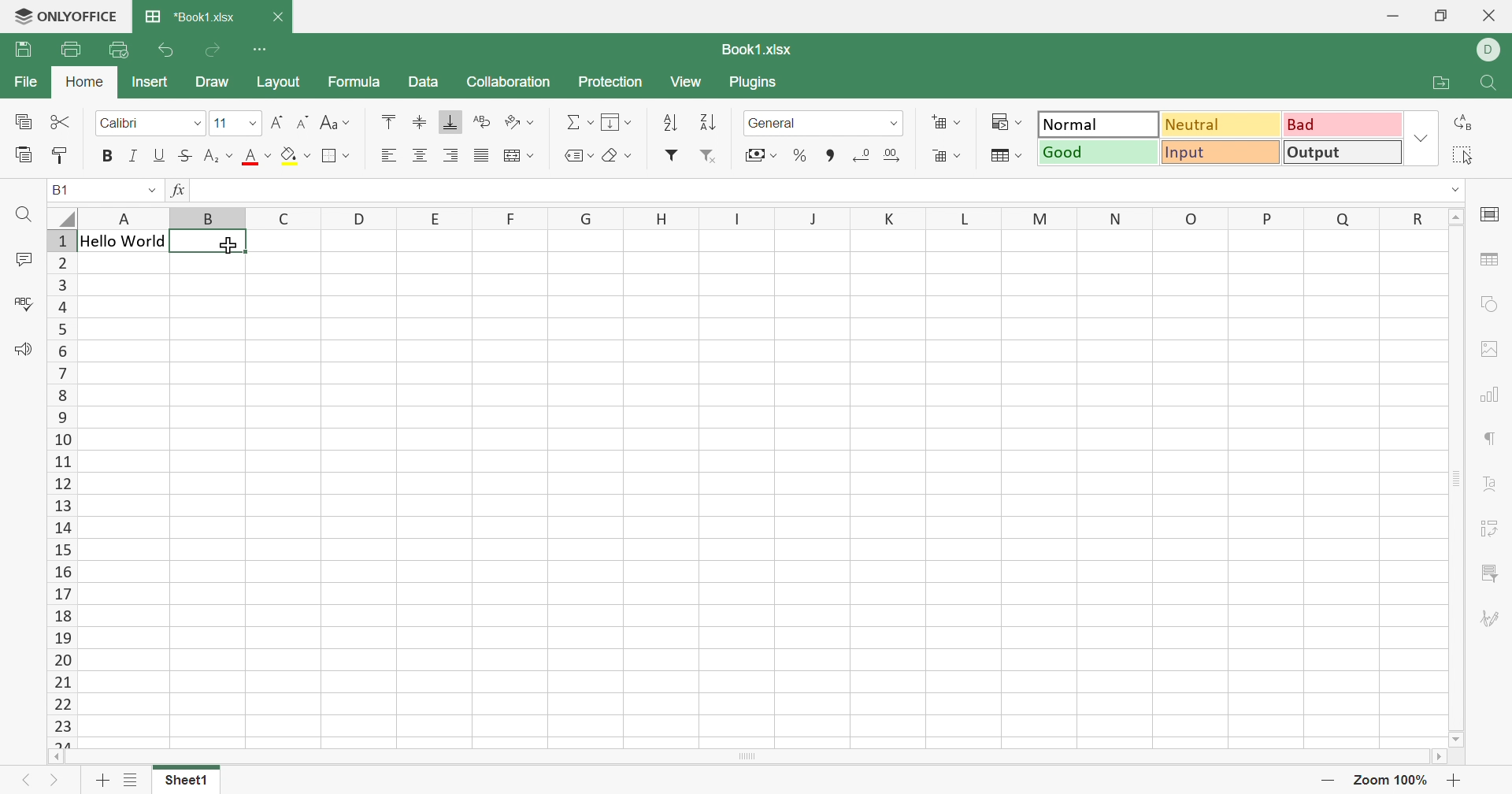 The height and width of the screenshot is (794, 1512). I want to click on Previous, so click(28, 784).